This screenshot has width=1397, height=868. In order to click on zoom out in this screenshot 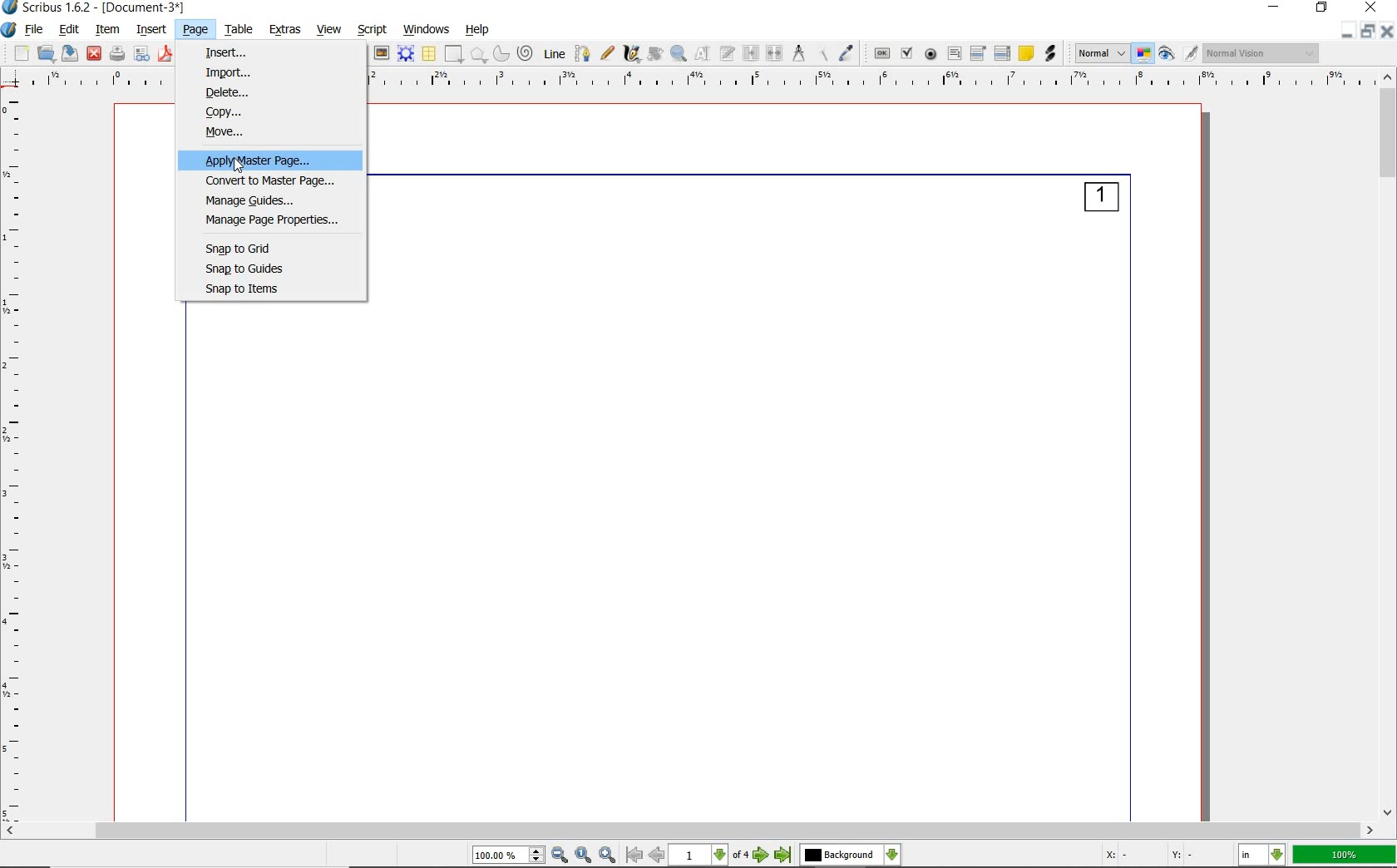, I will do `click(560, 856)`.